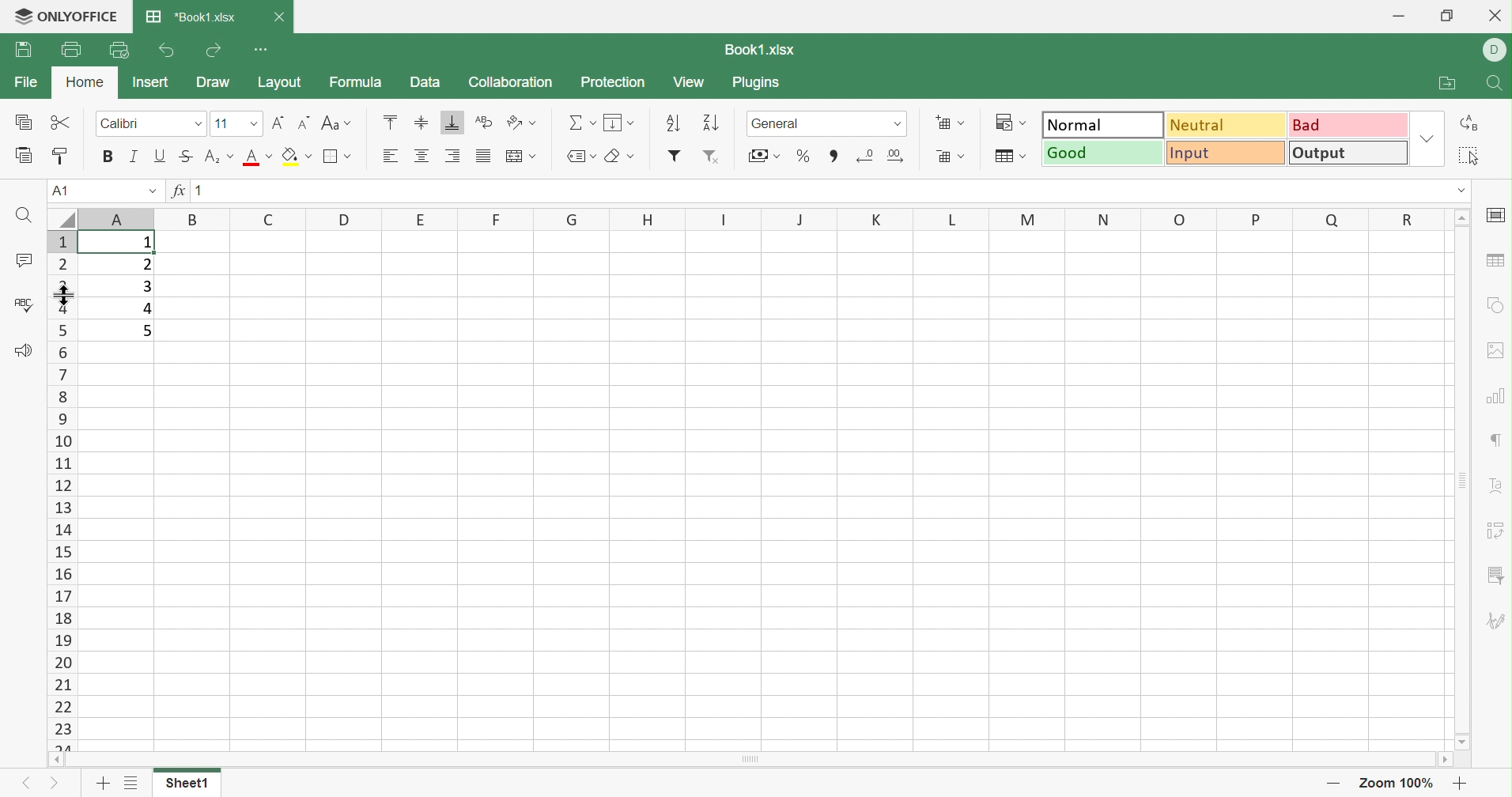 Image resolution: width=1512 pixels, height=797 pixels. Describe the element at coordinates (214, 83) in the screenshot. I see `Draw` at that location.